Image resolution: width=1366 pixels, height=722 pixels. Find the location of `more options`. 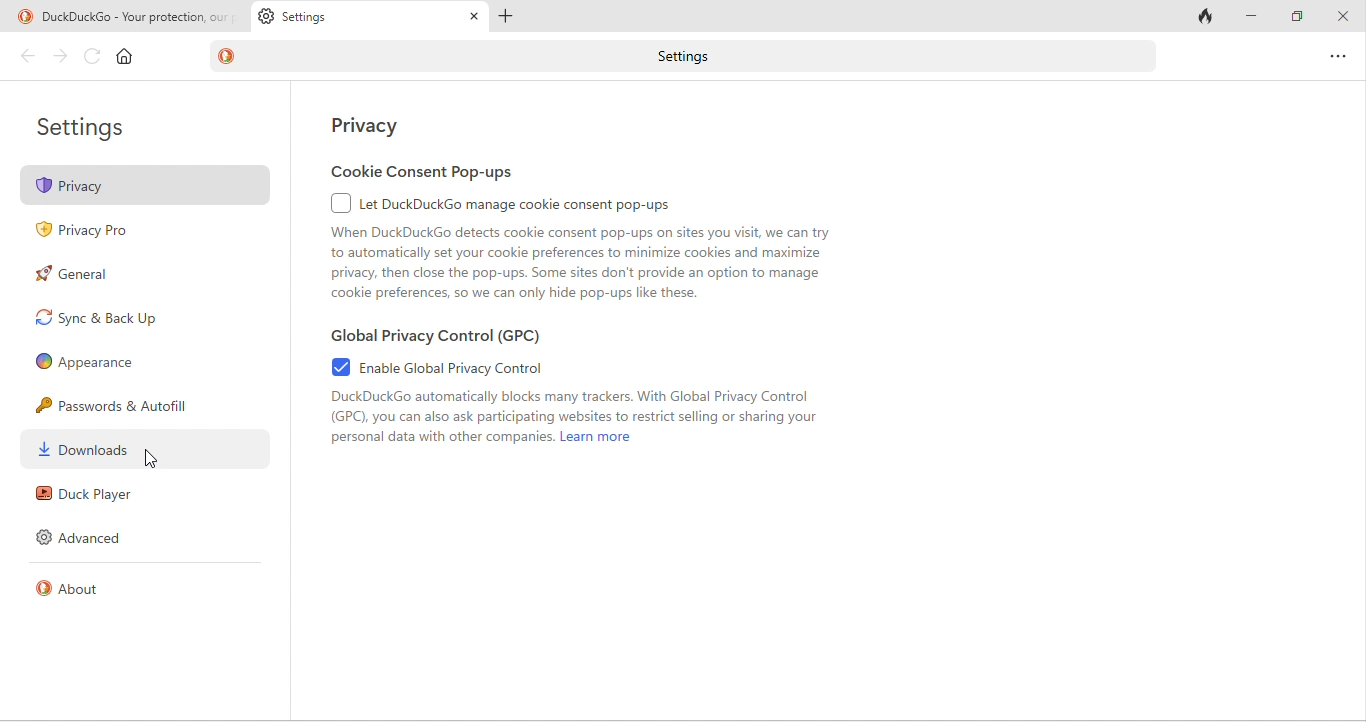

more options is located at coordinates (1335, 56).